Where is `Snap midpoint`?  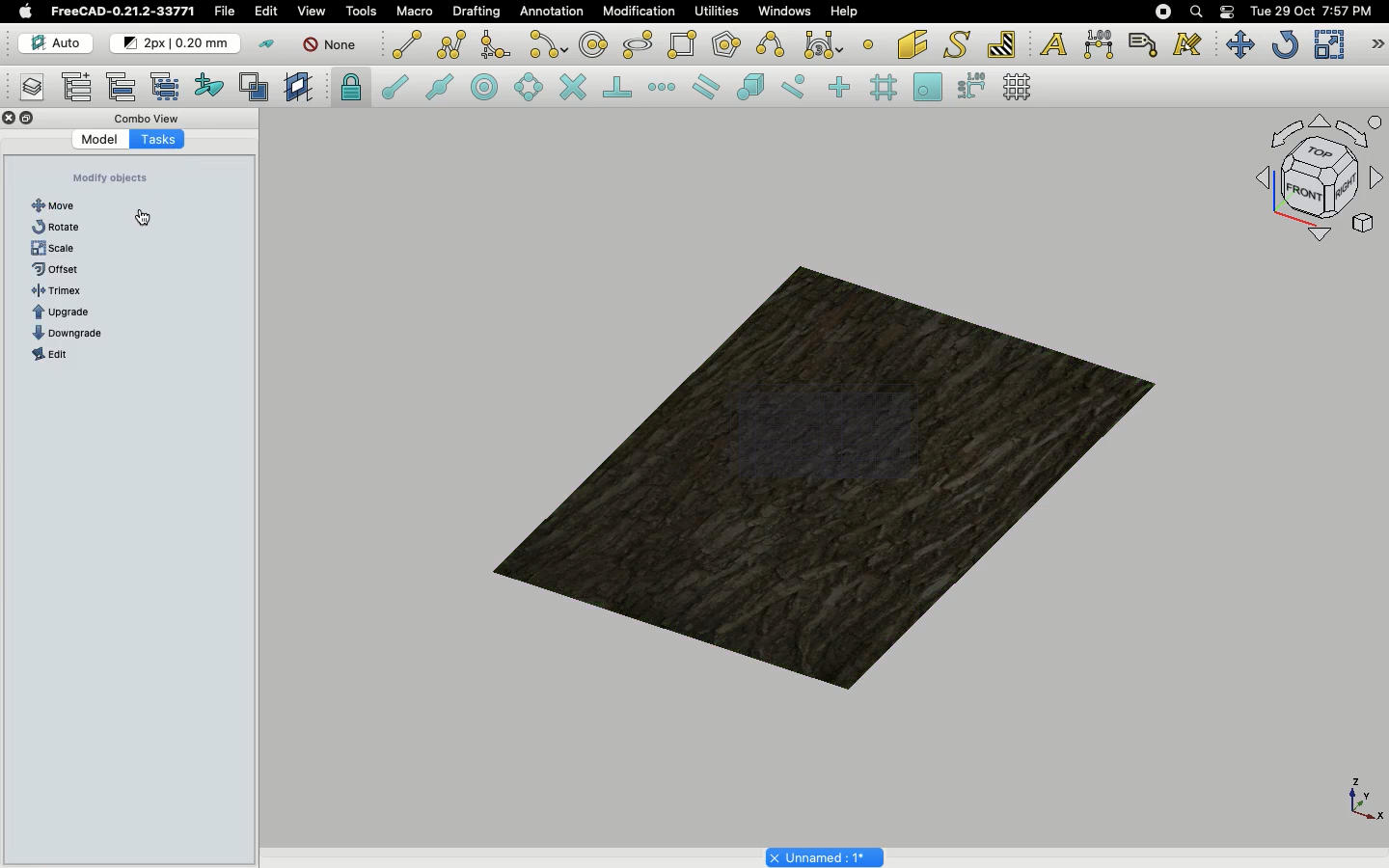
Snap midpoint is located at coordinates (441, 90).